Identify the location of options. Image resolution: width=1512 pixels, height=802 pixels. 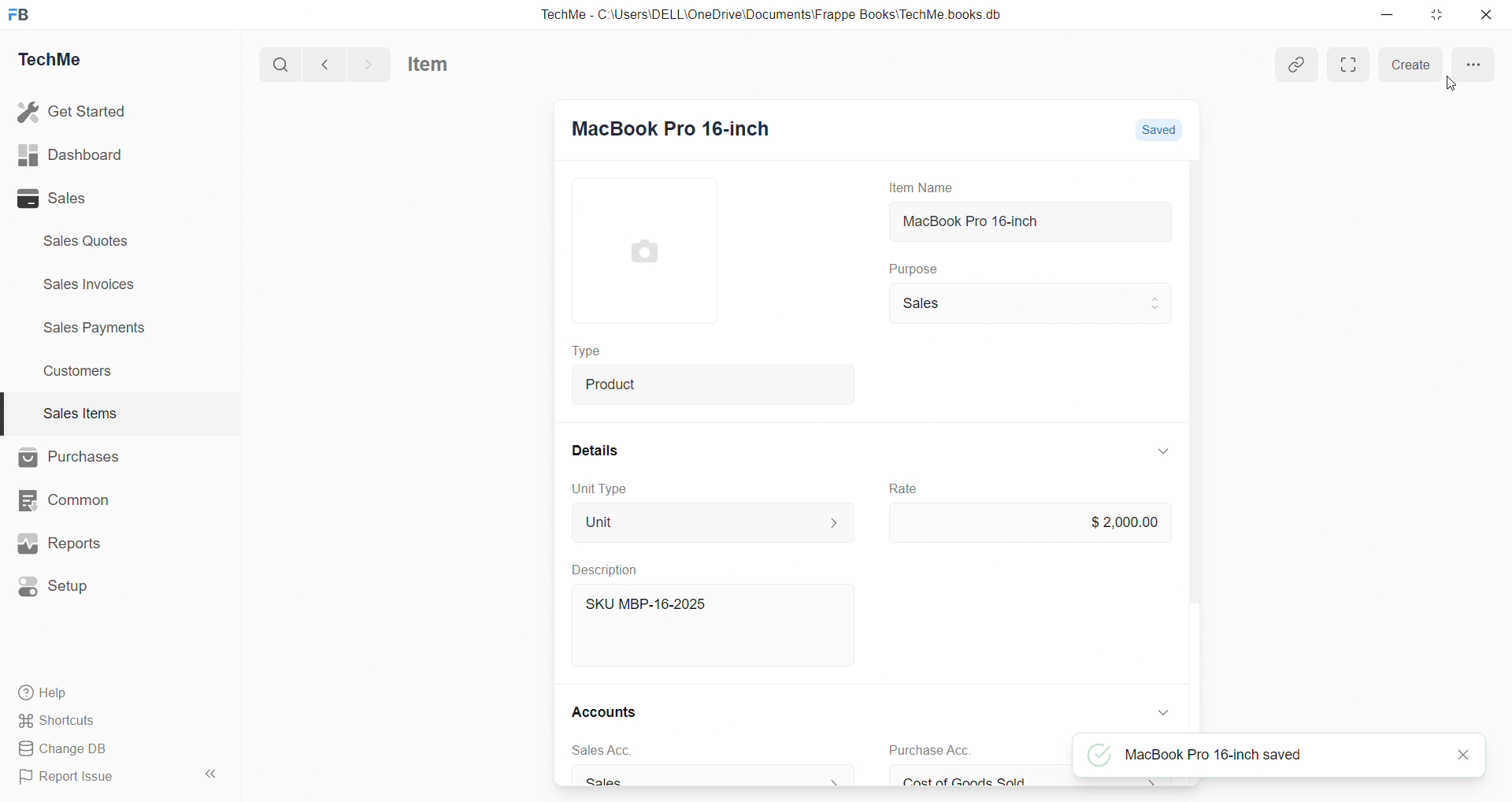
(1474, 67).